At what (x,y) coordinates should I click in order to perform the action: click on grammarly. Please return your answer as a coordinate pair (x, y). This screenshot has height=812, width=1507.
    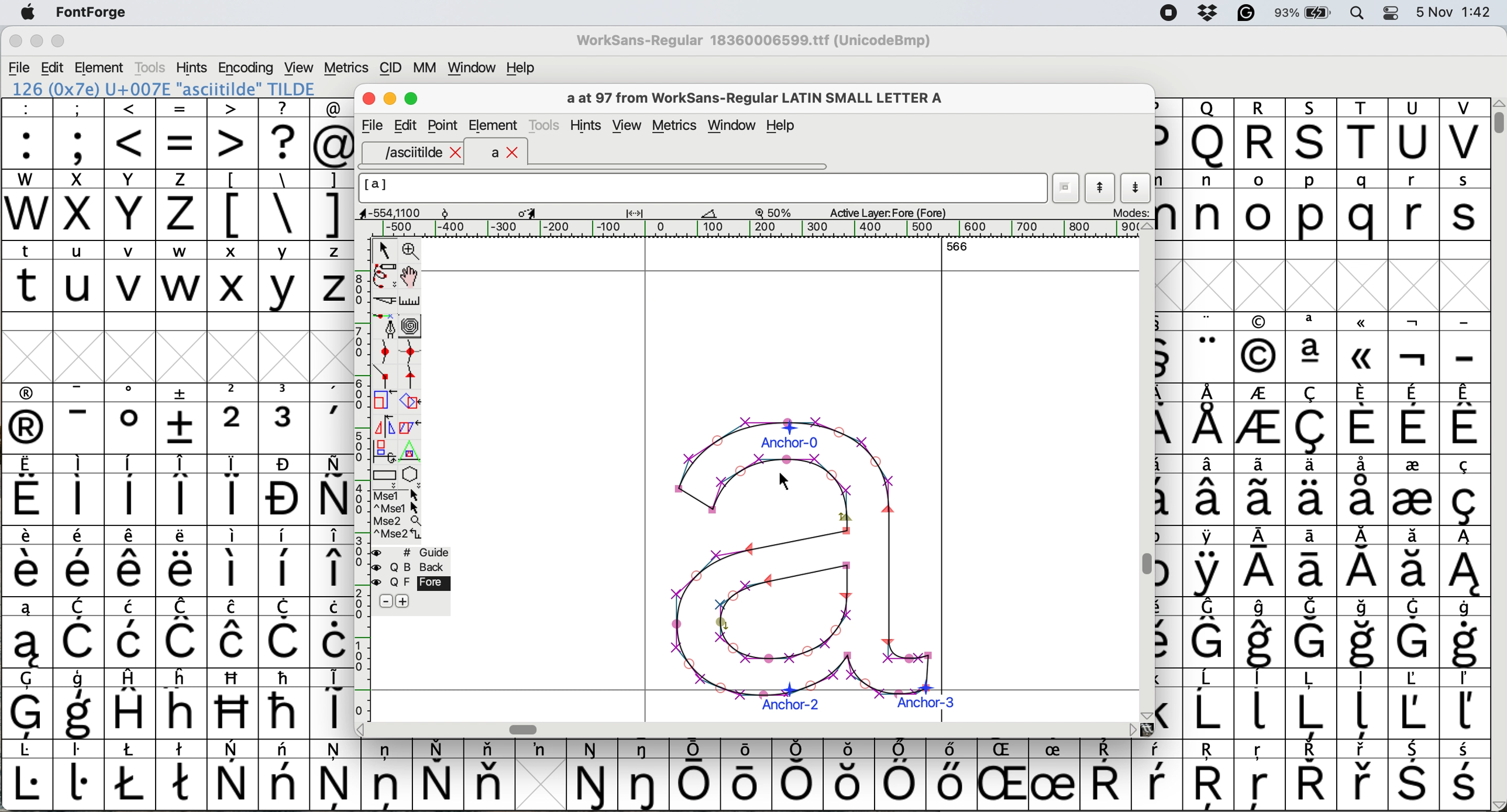
    Looking at the image, I should click on (1245, 15).